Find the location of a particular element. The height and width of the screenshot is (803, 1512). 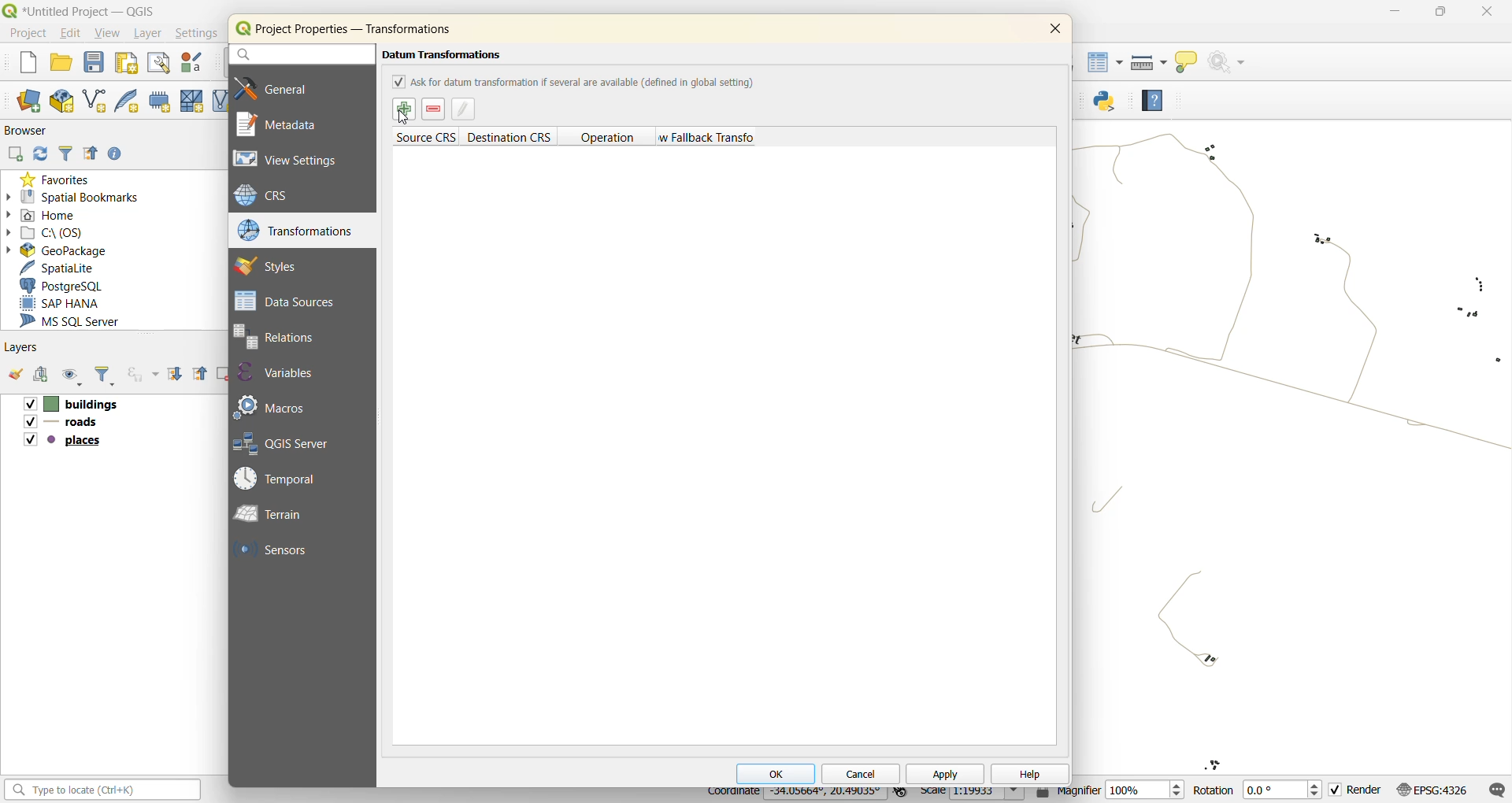

ask for datum transformation if several are available (defined in global setting) is located at coordinates (574, 81).